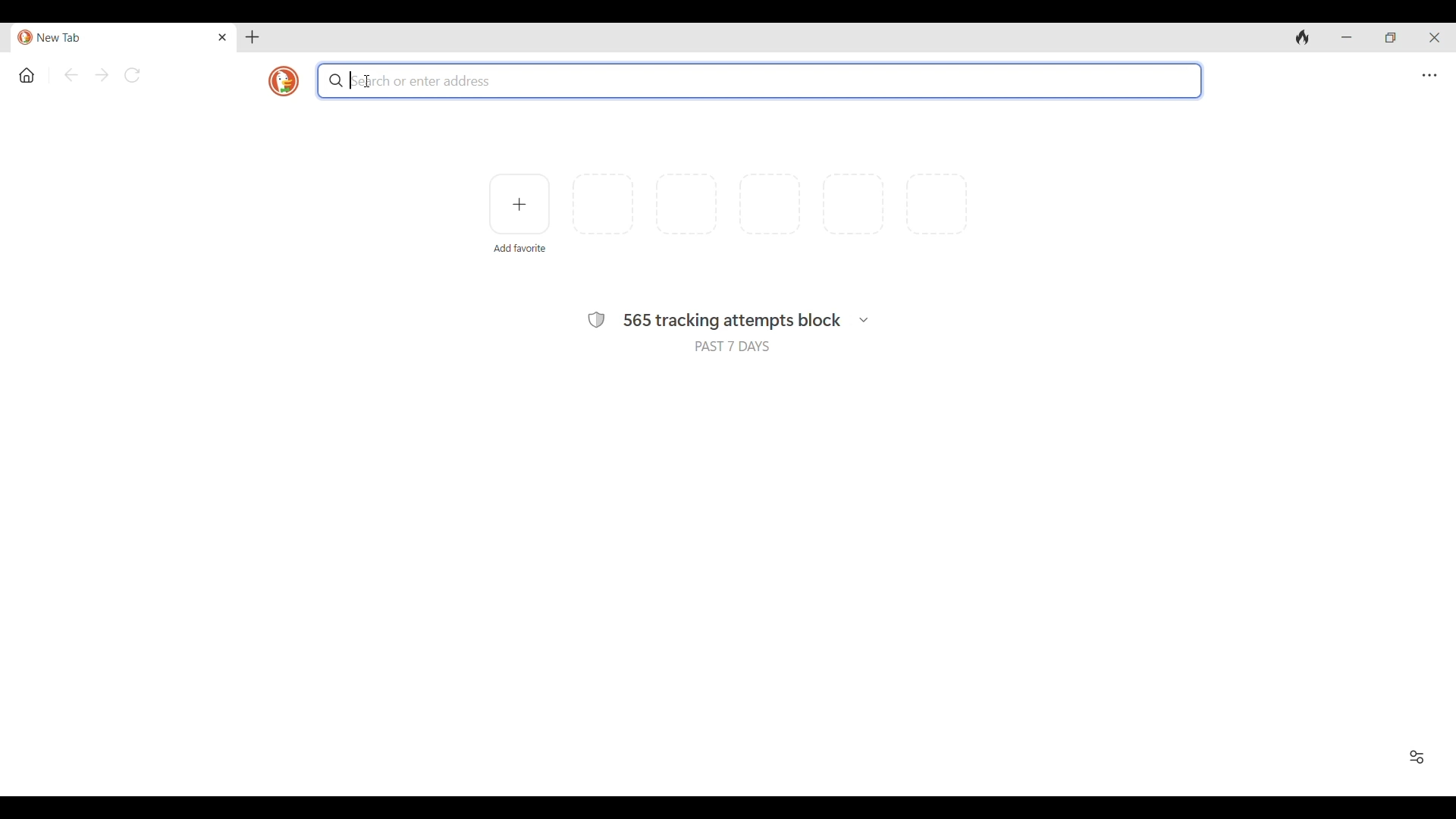 The image size is (1456, 819). I want to click on New tab, so click(112, 38).